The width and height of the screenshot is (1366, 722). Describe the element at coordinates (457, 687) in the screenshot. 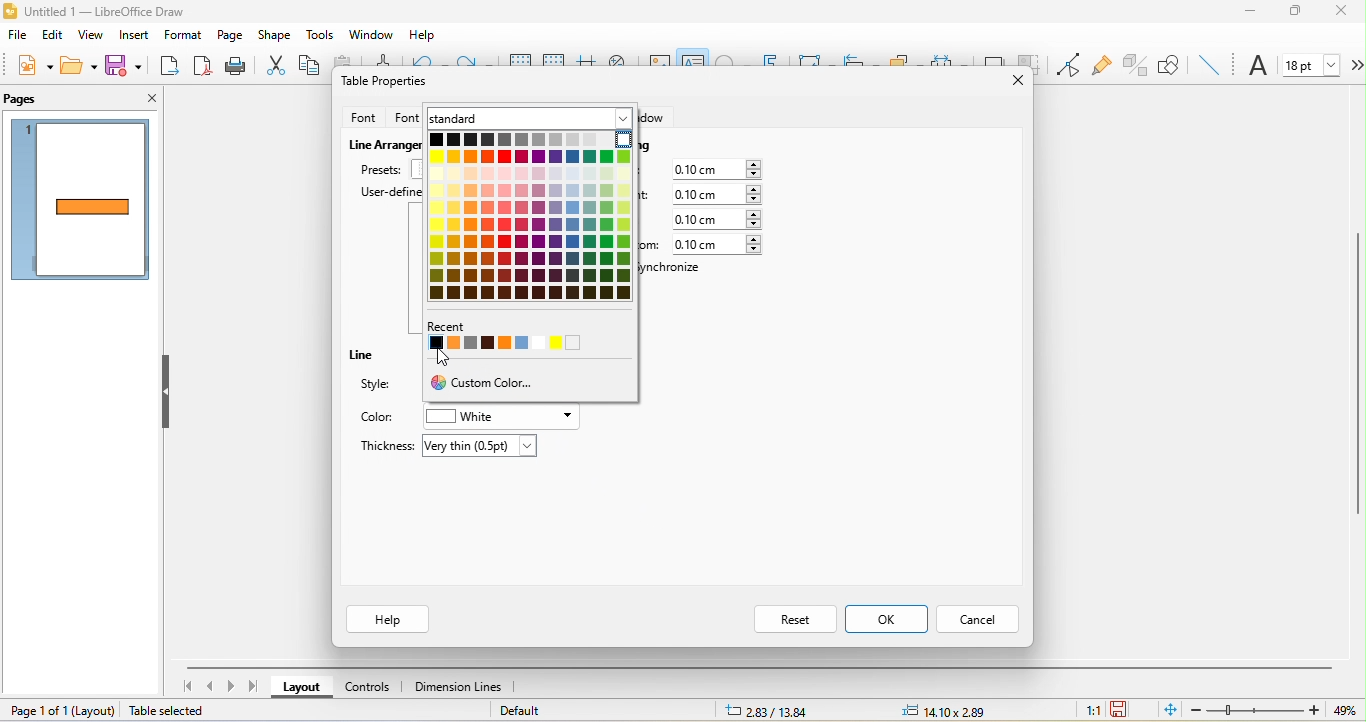

I see `dimension line` at that location.